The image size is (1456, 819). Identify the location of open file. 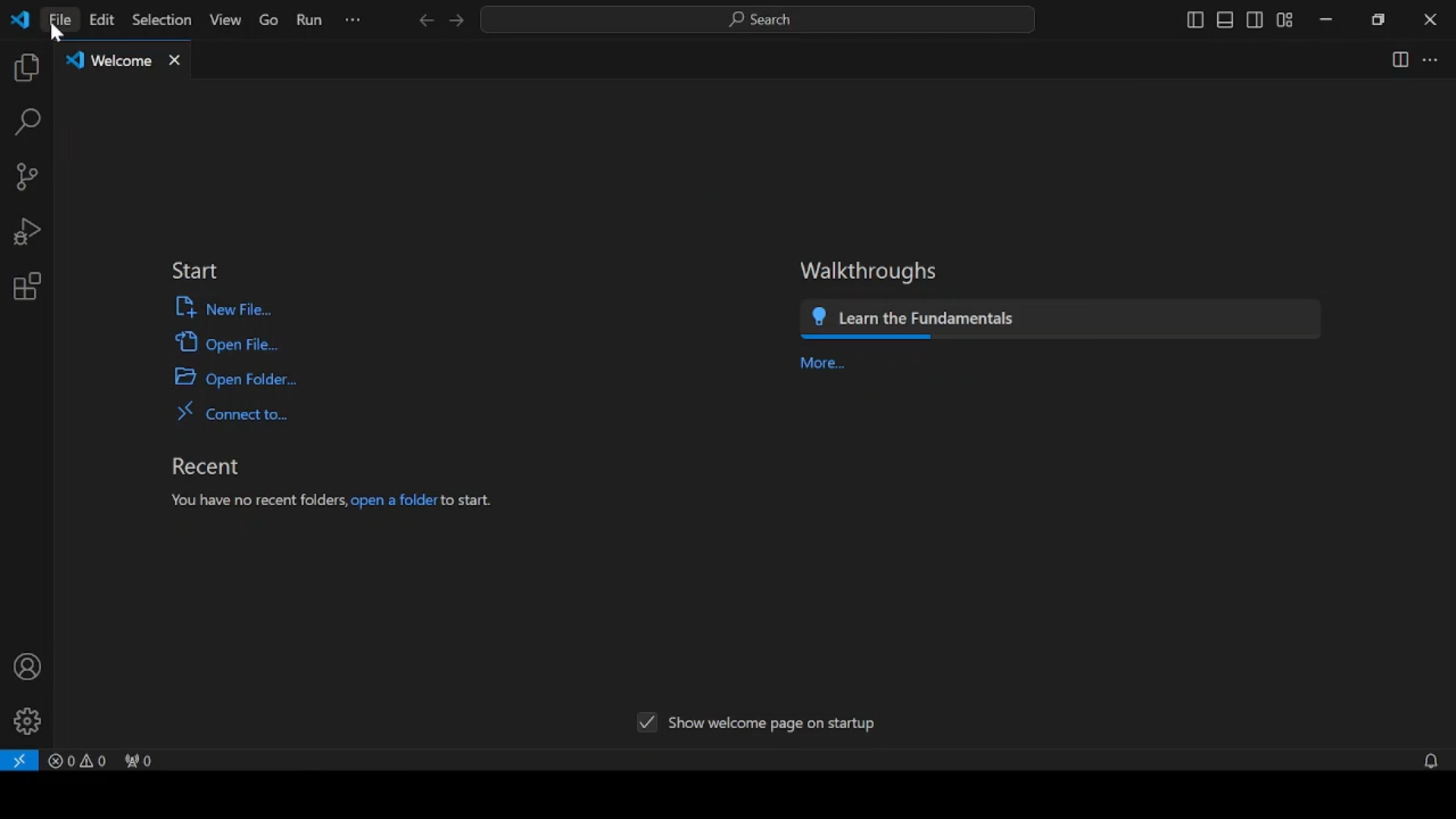
(229, 343).